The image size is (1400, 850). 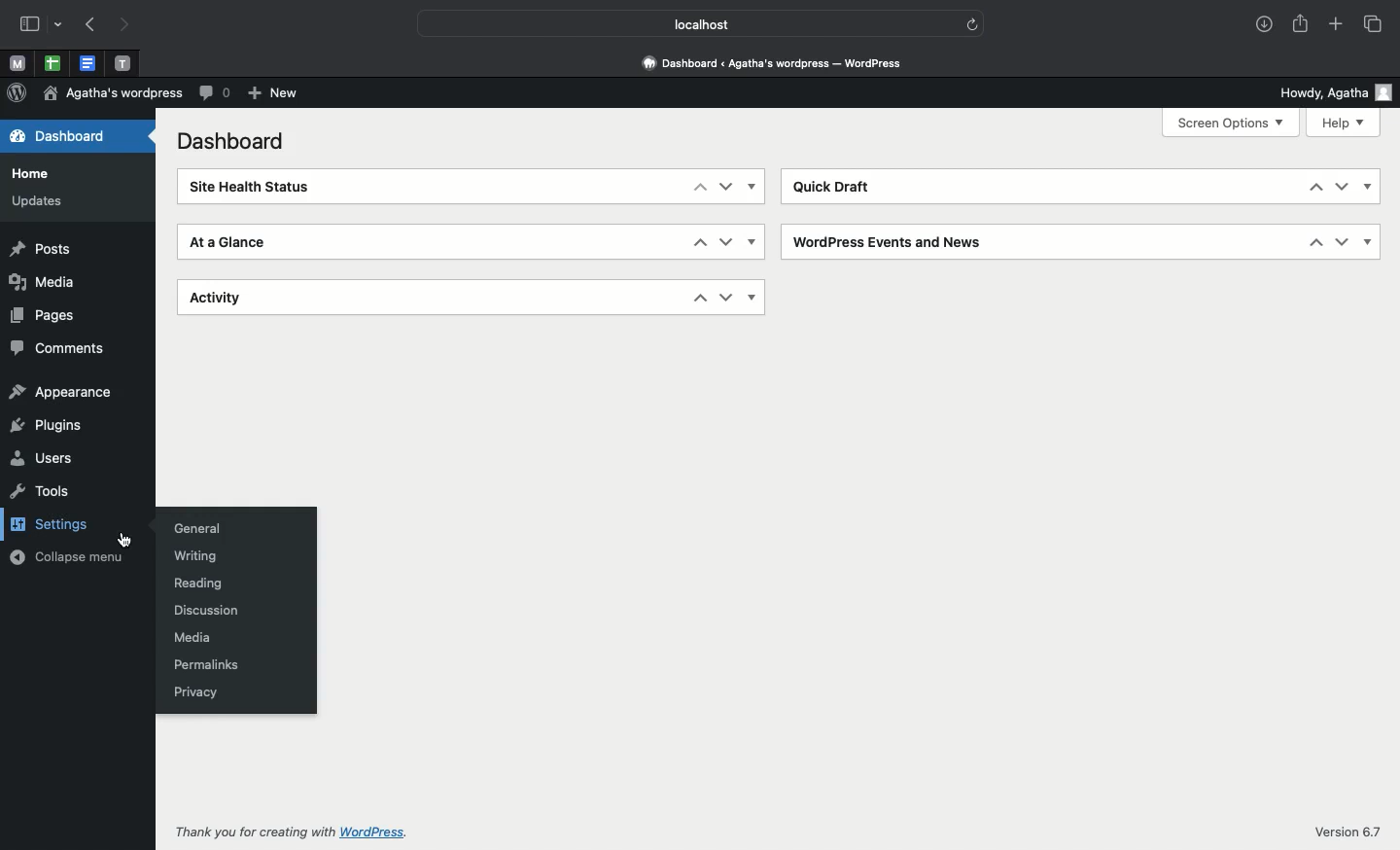 I want to click on Wordpress, so click(x=17, y=91).